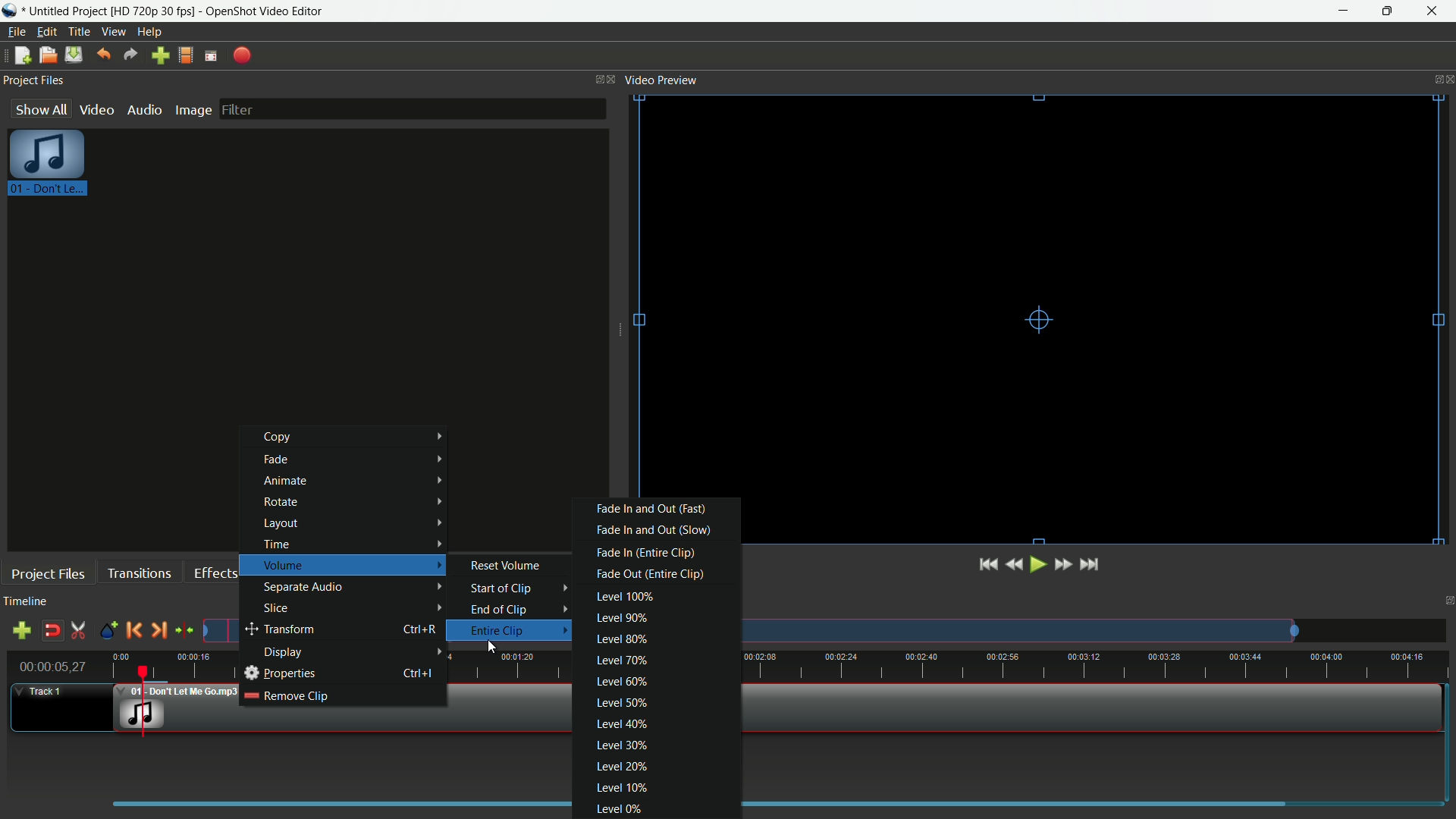 The width and height of the screenshot is (1456, 819). What do you see at coordinates (80, 31) in the screenshot?
I see `title menu` at bounding box center [80, 31].